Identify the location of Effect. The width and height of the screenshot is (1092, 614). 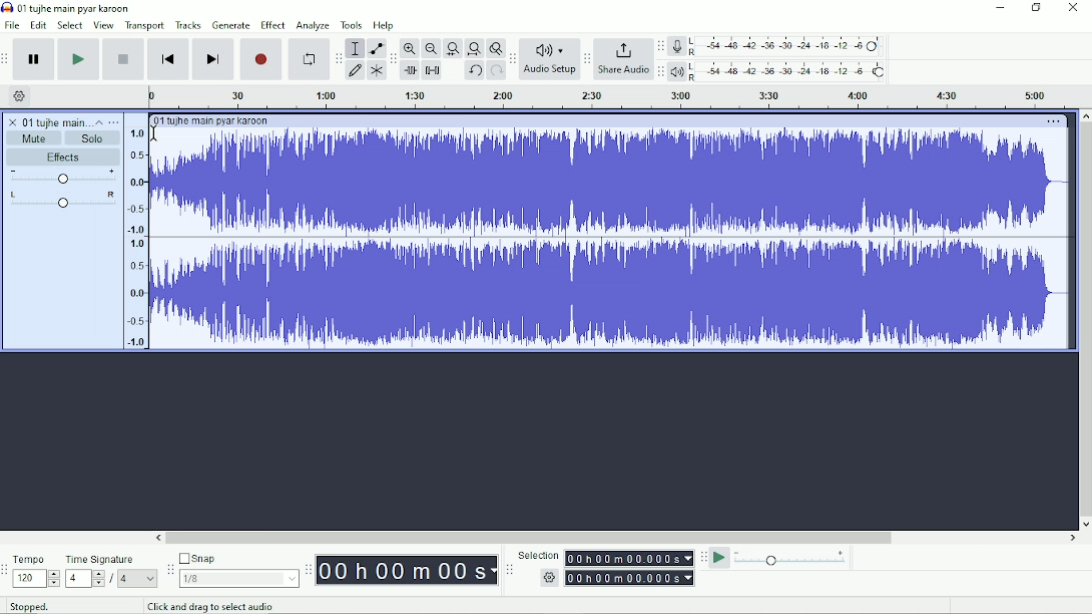
(273, 25).